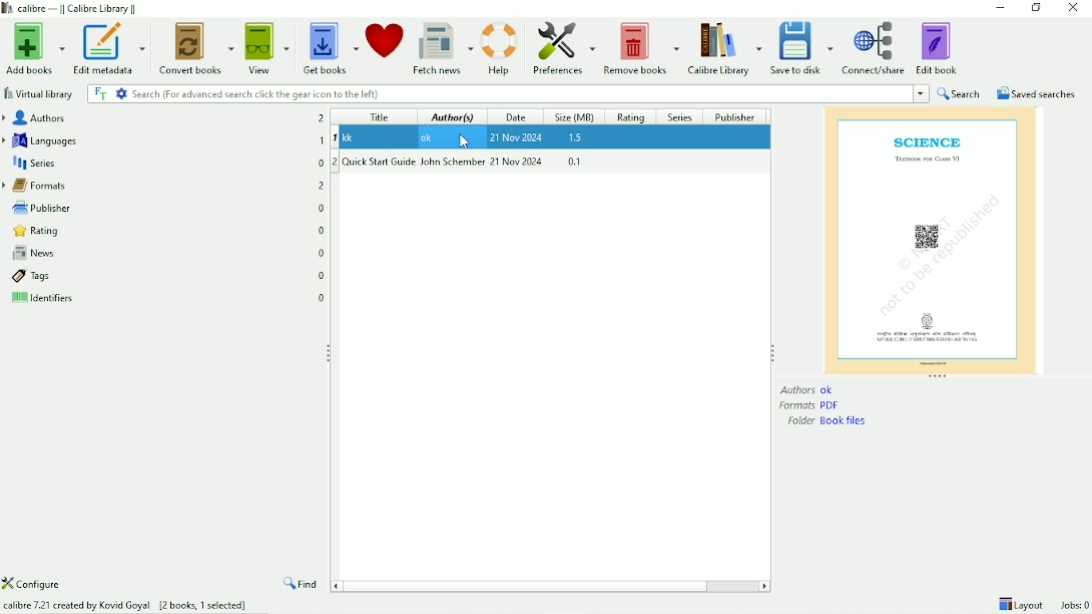  I want to click on Help, so click(500, 49).